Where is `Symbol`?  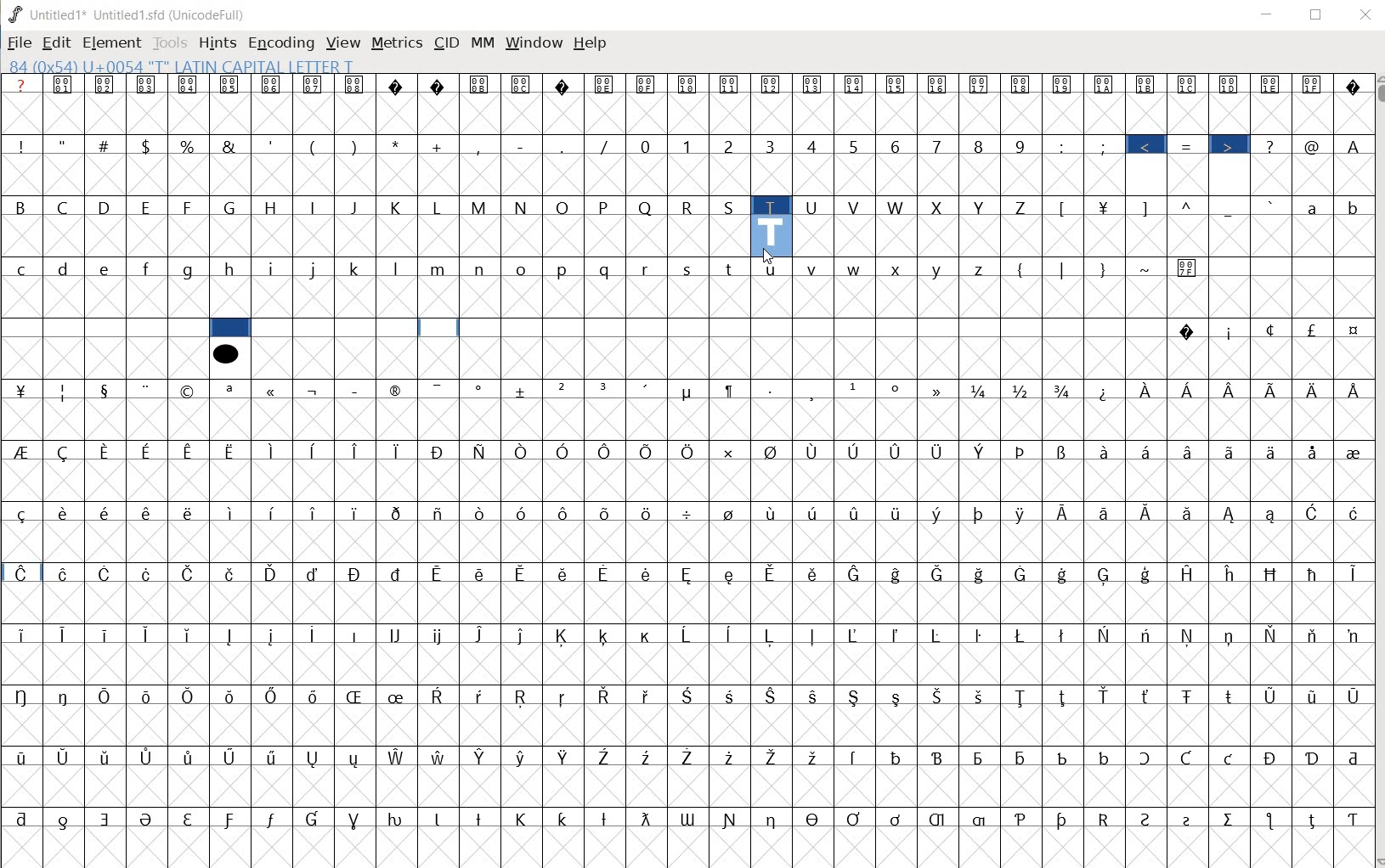 Symbol is located at coordinates (1065, 697).